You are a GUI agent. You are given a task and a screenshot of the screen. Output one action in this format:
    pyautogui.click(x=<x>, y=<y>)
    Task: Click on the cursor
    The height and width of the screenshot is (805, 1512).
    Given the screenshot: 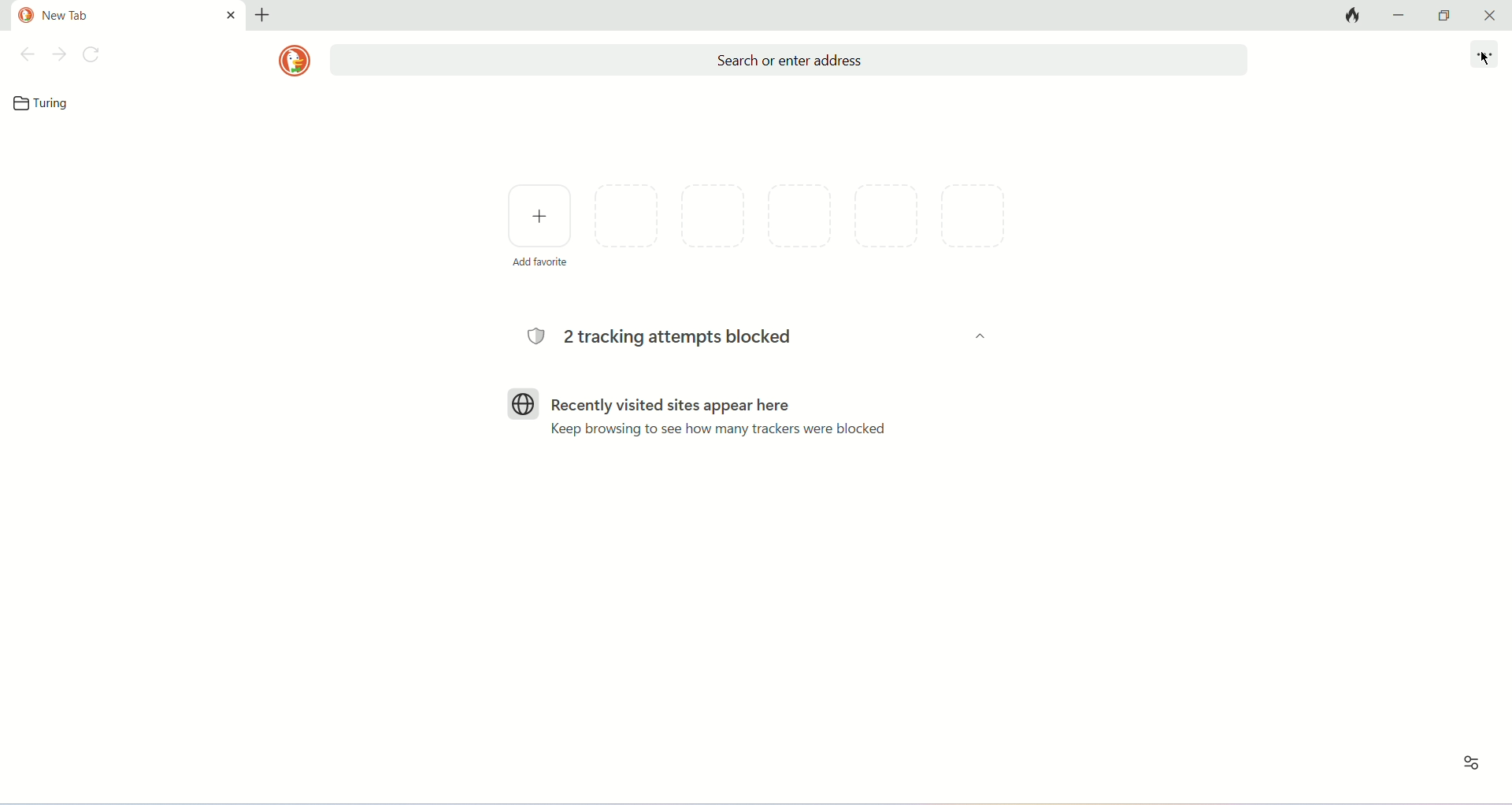 What is the action you would take?
    pyautogui.click(x=1486, y=58)
    